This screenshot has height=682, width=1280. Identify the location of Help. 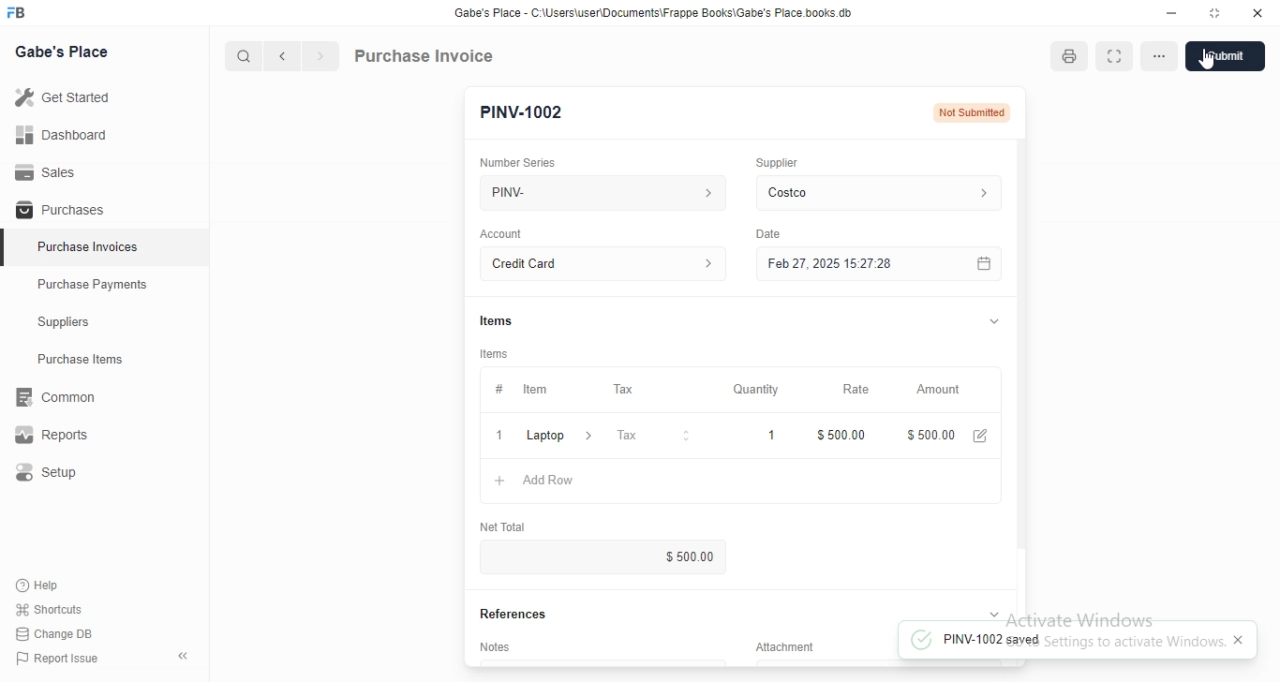
(49, 586).